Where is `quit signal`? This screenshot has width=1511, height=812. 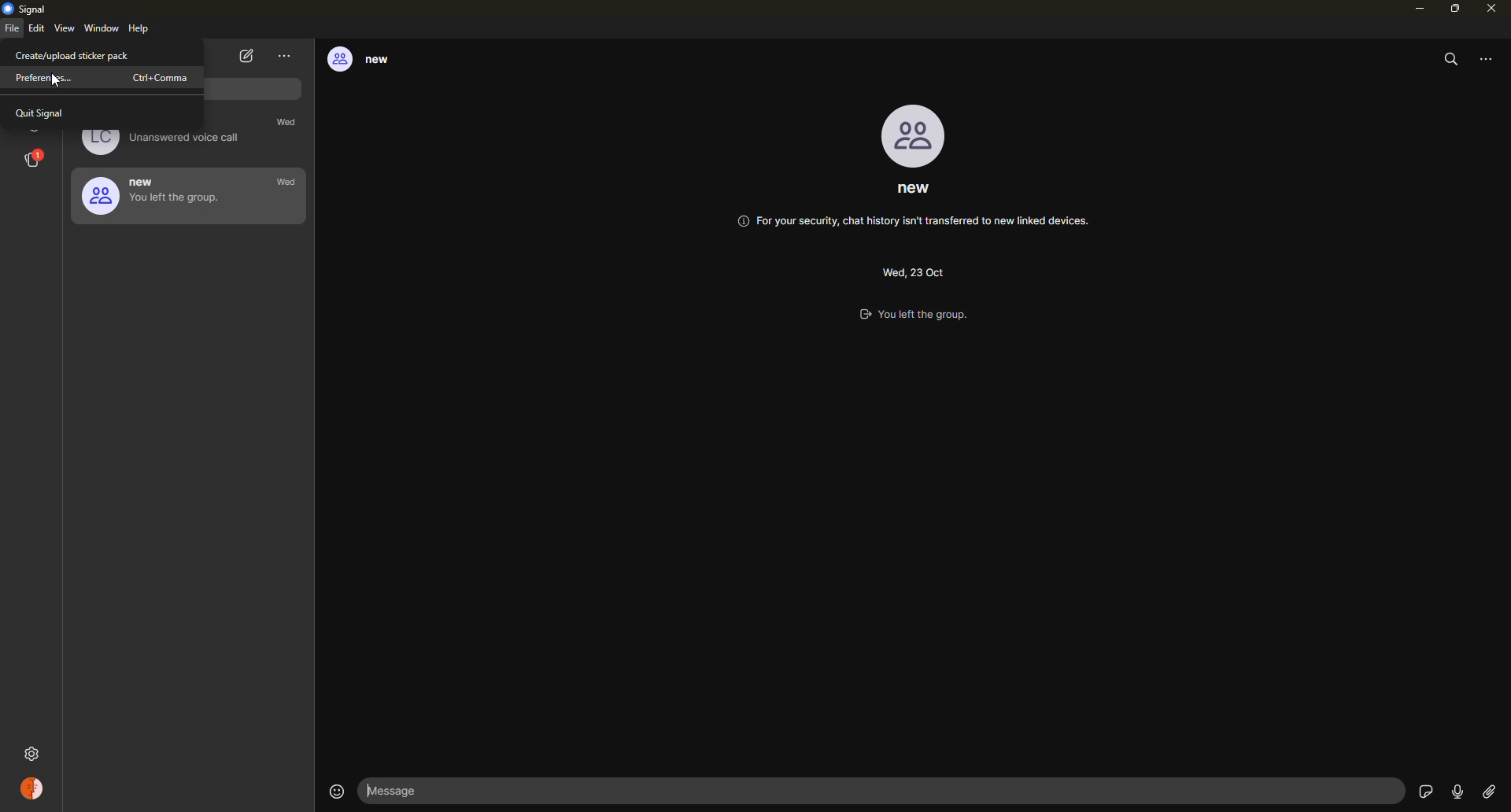 quit signal is located at coordinates (46, 113).